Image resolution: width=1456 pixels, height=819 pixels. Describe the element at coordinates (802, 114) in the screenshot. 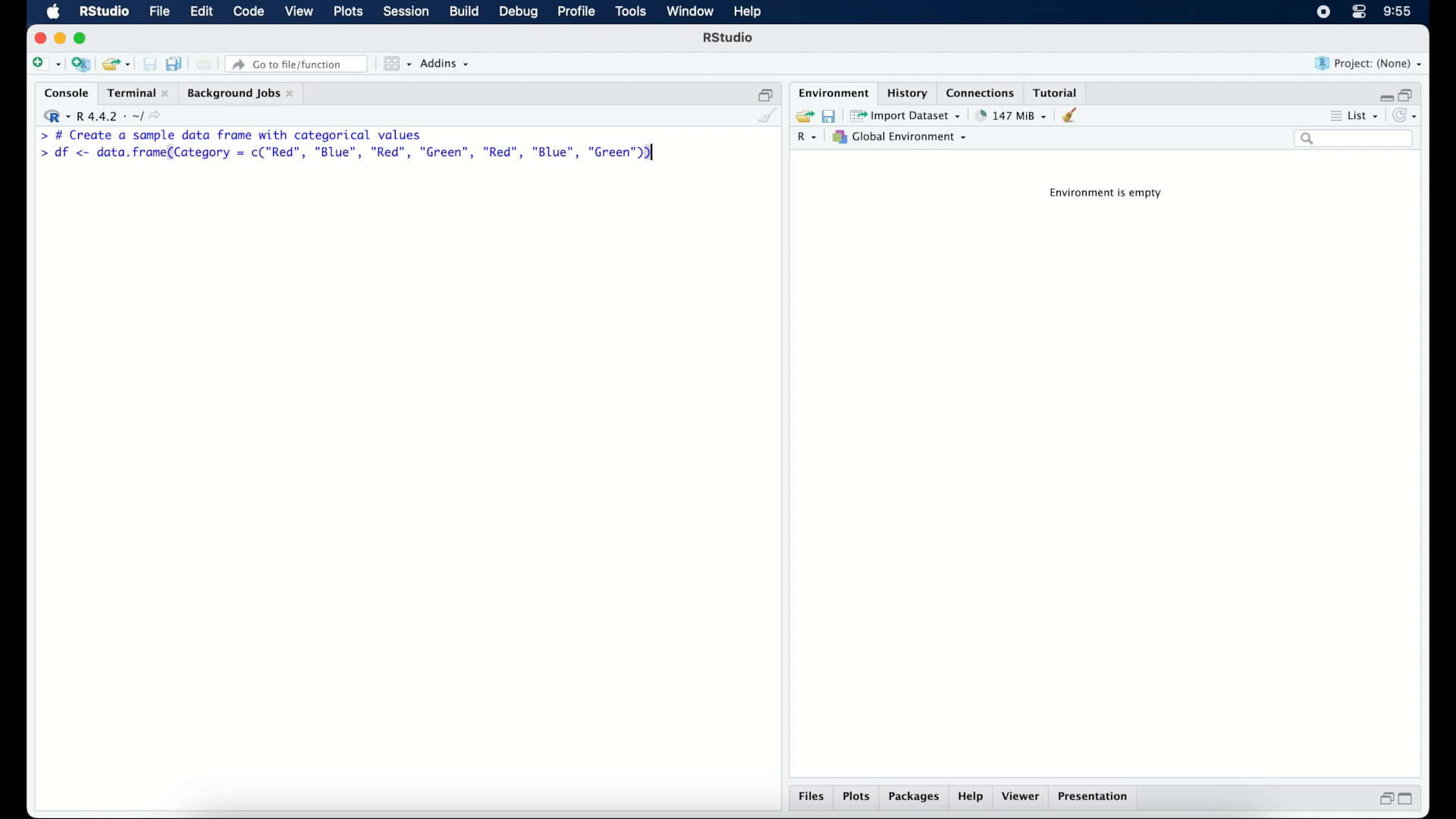

I see `load workspace` at that location.